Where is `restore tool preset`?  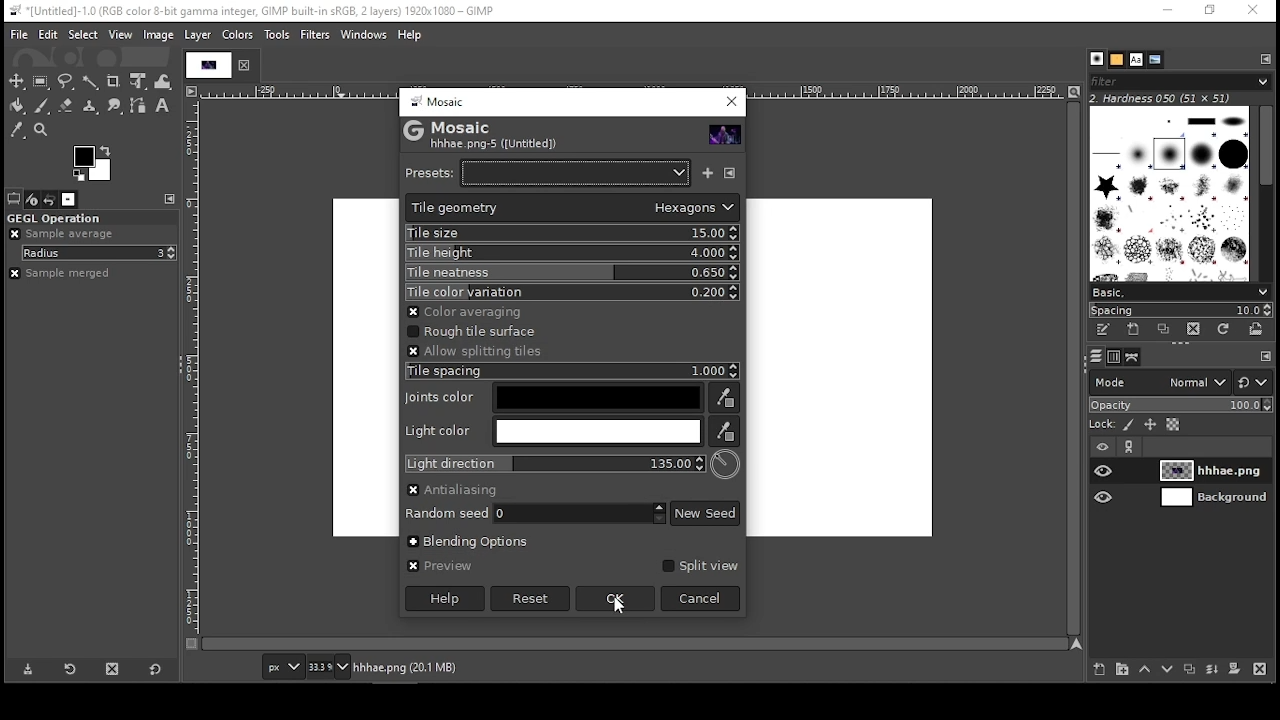 restore tool preset is located at coordinates (70, 669).